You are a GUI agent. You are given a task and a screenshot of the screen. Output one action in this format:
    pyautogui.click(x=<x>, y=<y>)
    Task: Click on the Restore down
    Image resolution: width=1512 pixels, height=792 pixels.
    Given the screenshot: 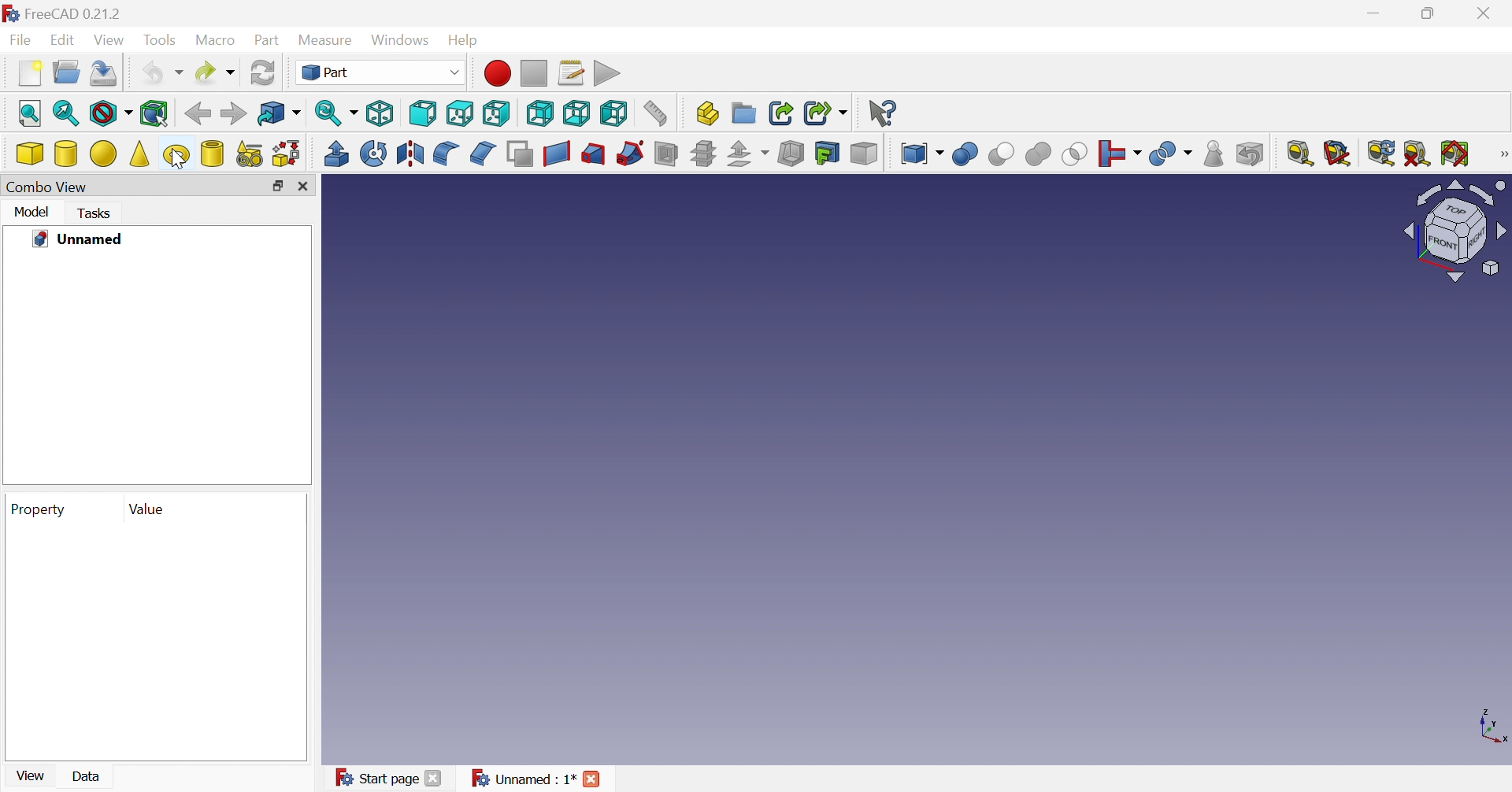 What is the action you would take?
    pyautogui.click(x=277, y=187)
    